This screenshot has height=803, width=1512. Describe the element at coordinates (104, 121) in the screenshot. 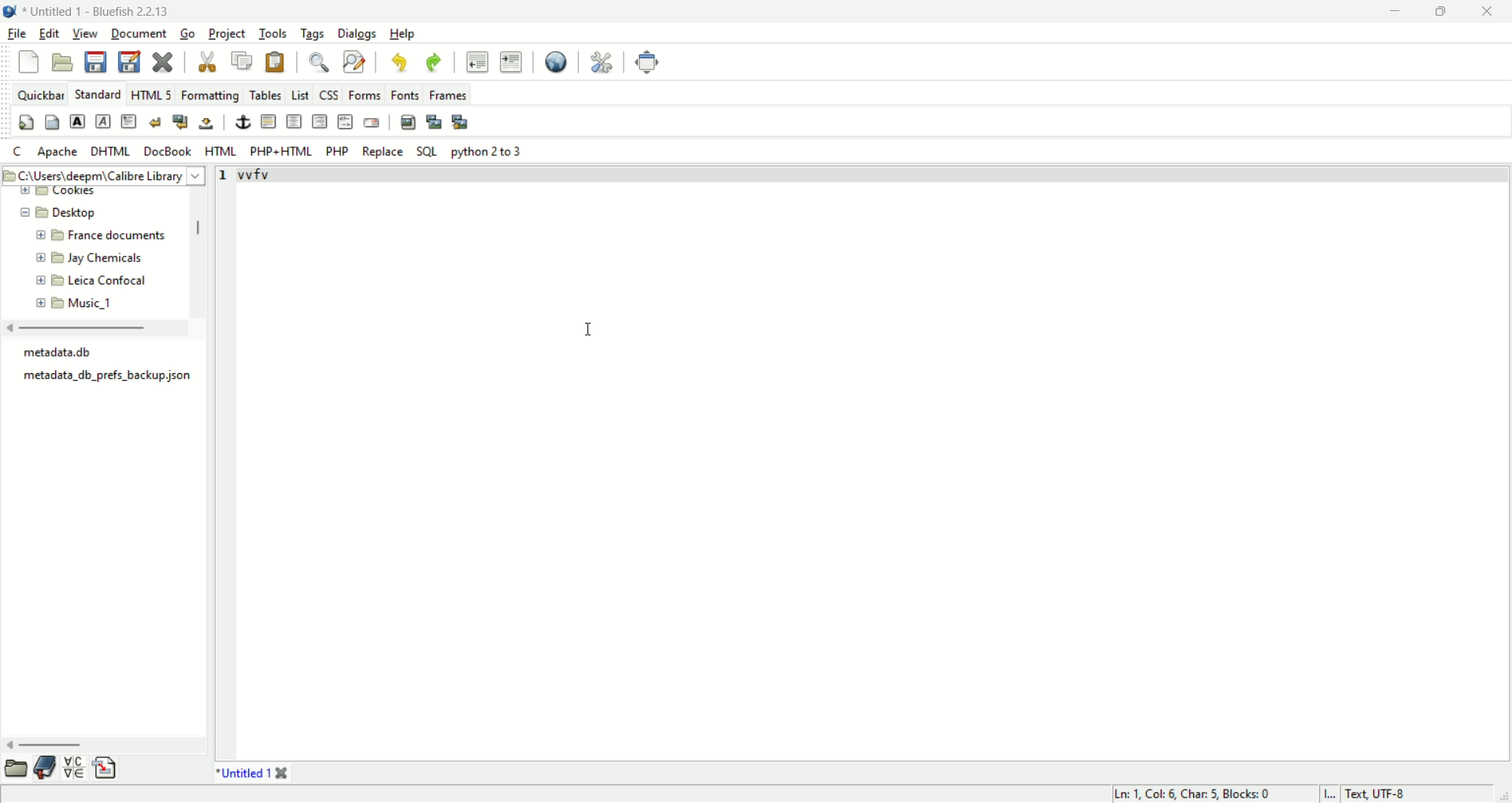

I see `emphasis` at that location.